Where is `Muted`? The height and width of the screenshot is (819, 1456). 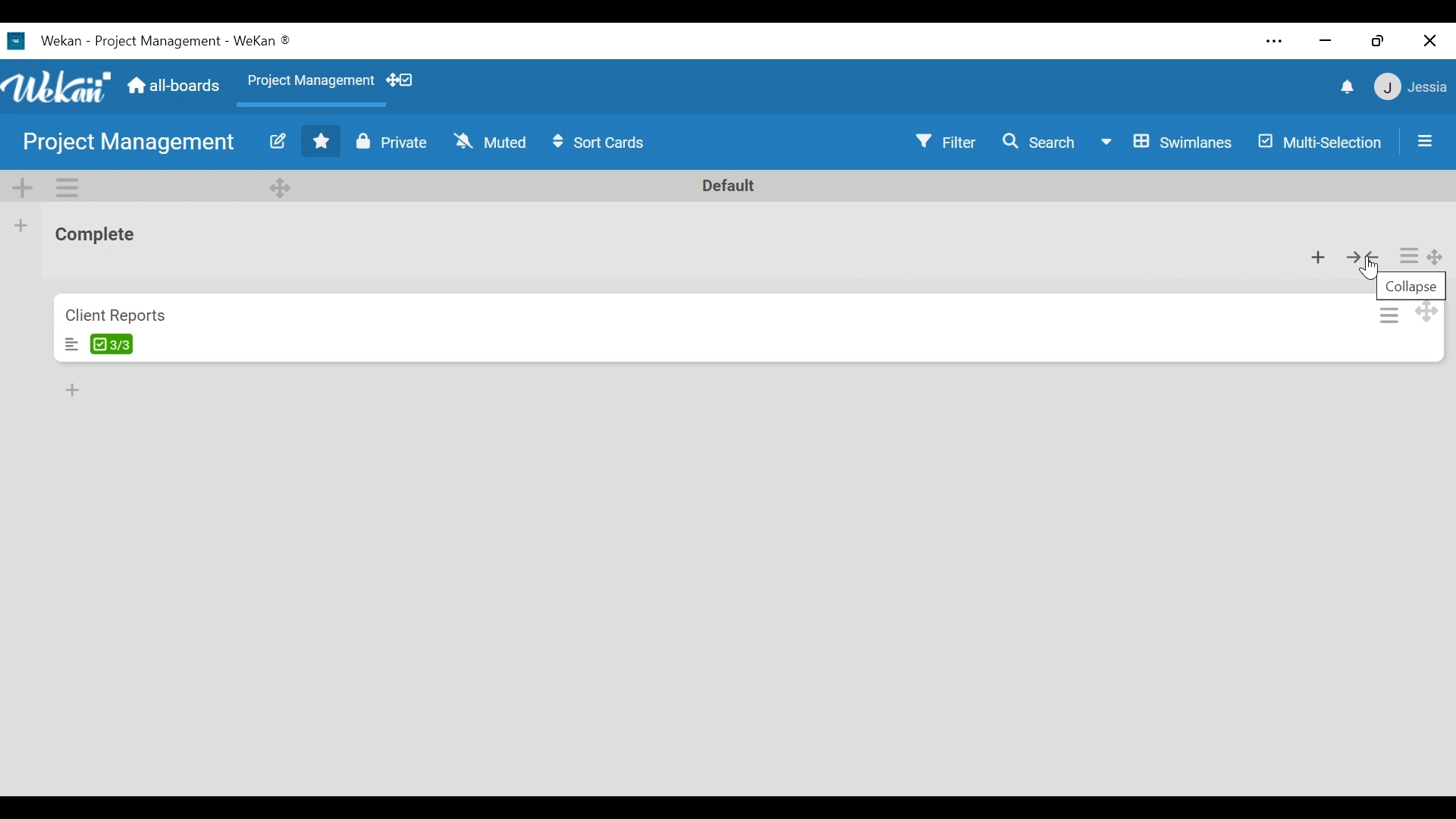
Muted is located at coordinates (493, 142).